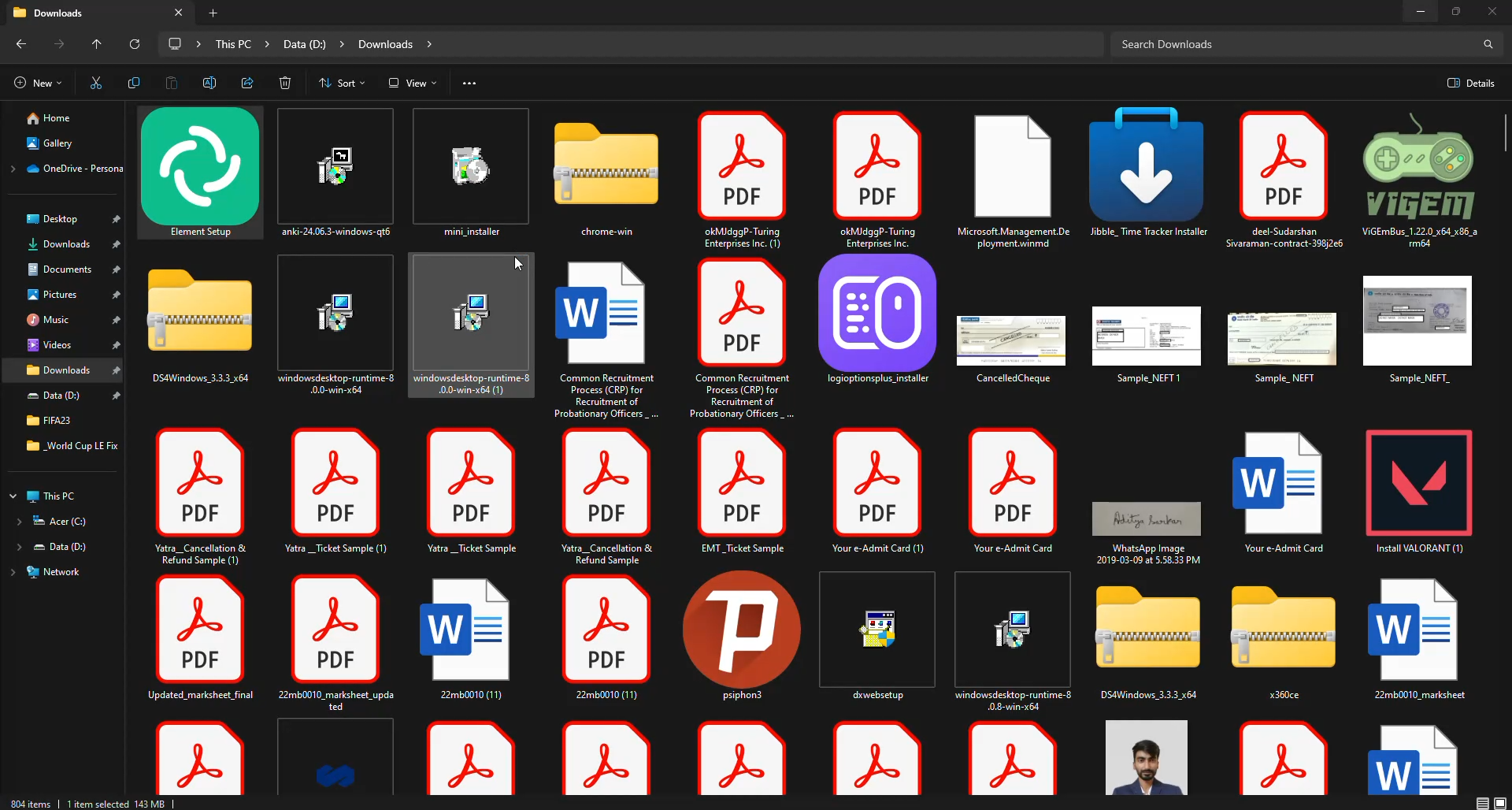  Describe the element at coordinates (884, 325) in the screenshot. I see `app` at that location.